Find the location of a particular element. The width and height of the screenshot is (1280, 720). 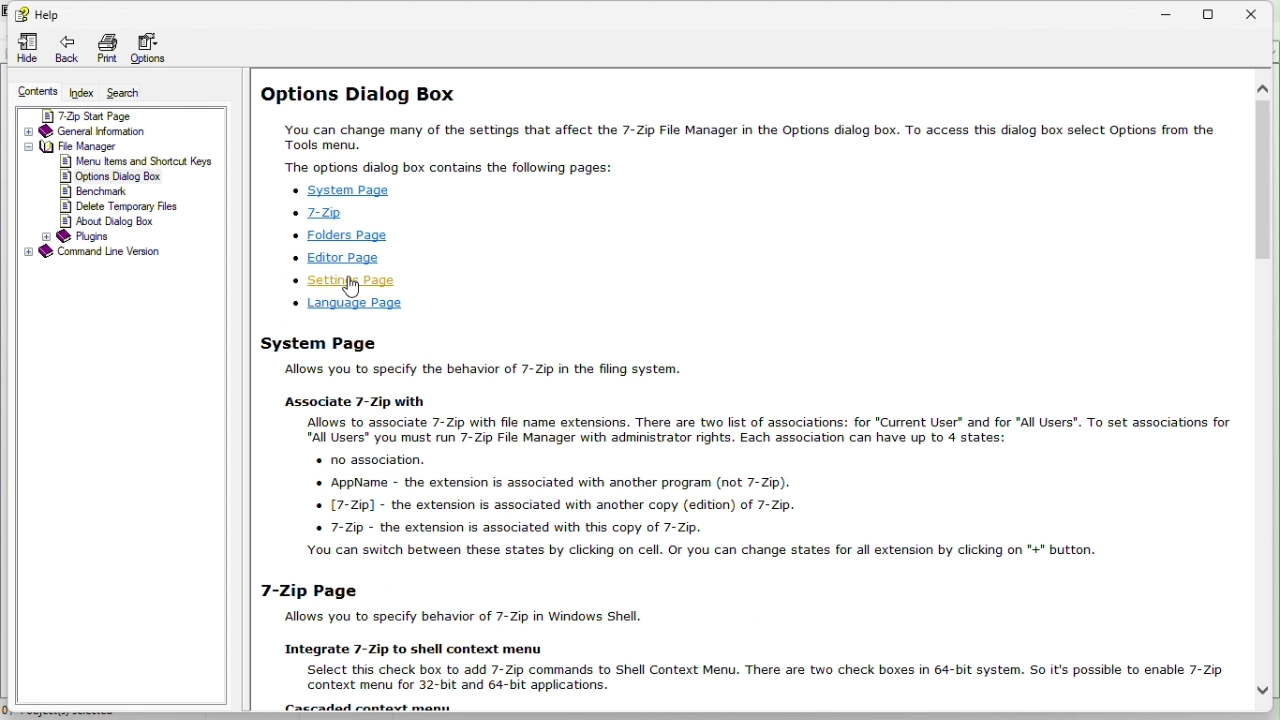

7z start page is located at coordinates (103, 116).